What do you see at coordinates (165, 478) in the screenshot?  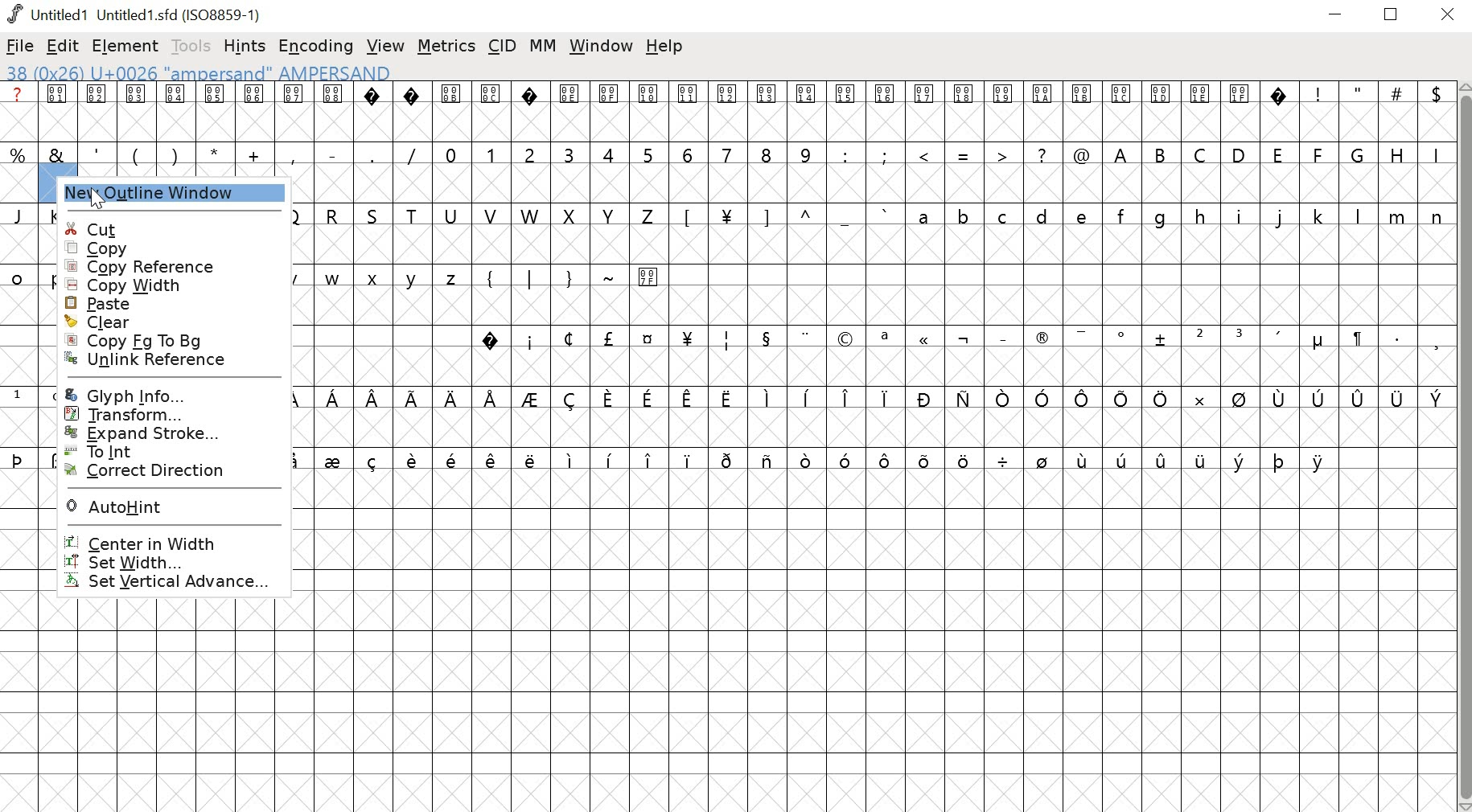 I see `correct direction` at bounding box center [165, 478].